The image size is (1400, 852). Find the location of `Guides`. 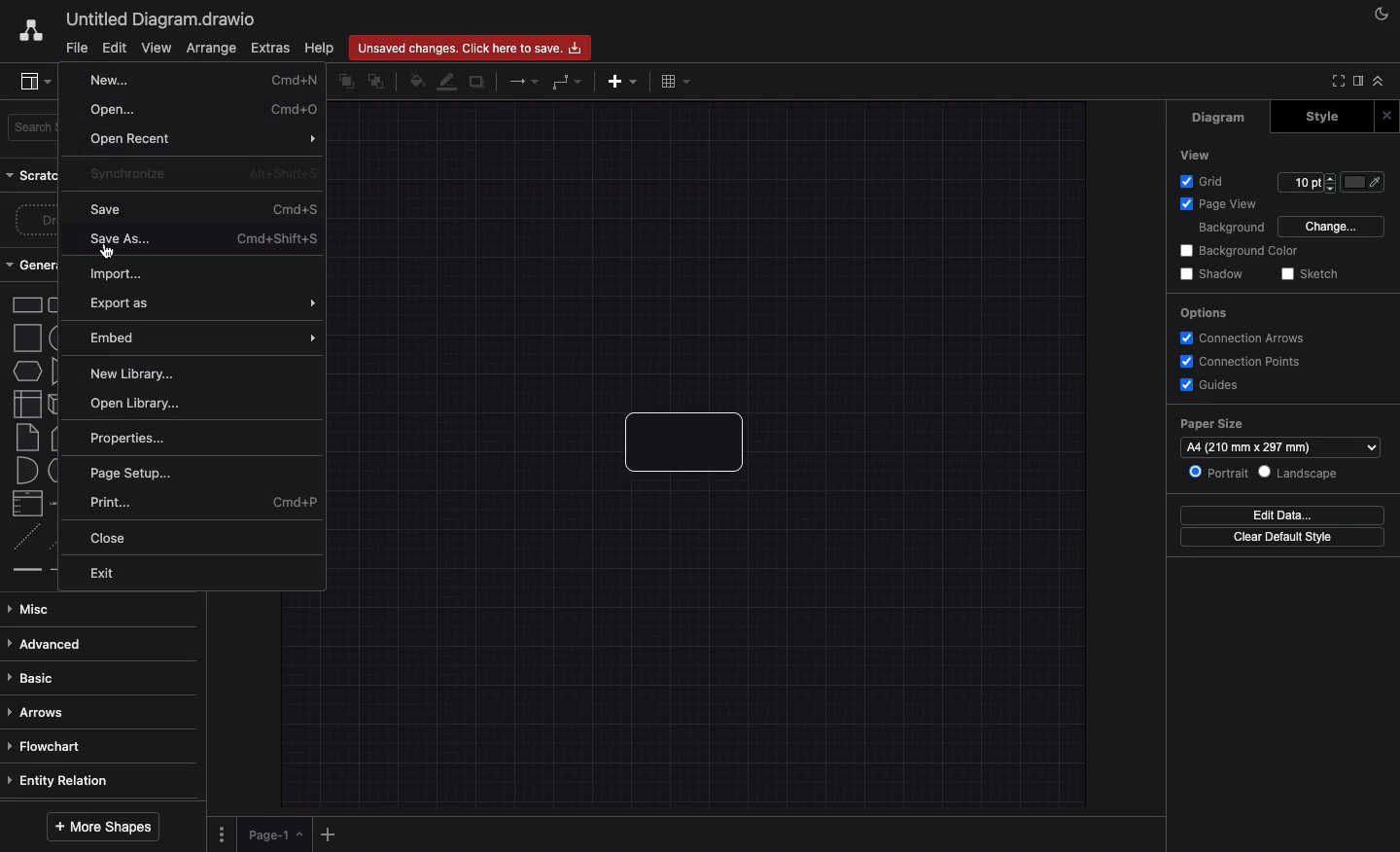

Guides is located at coordinates (1208, 386).